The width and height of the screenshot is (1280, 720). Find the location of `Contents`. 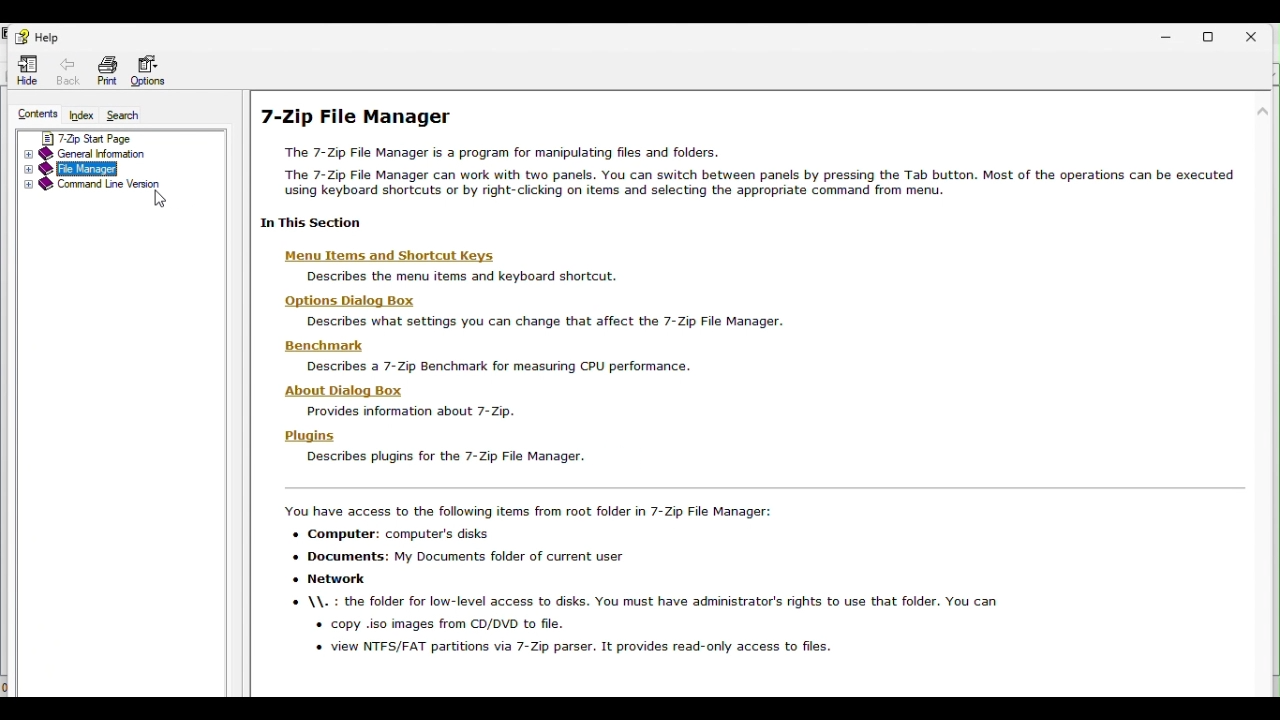

Contents is located at coordinates (32, 115).